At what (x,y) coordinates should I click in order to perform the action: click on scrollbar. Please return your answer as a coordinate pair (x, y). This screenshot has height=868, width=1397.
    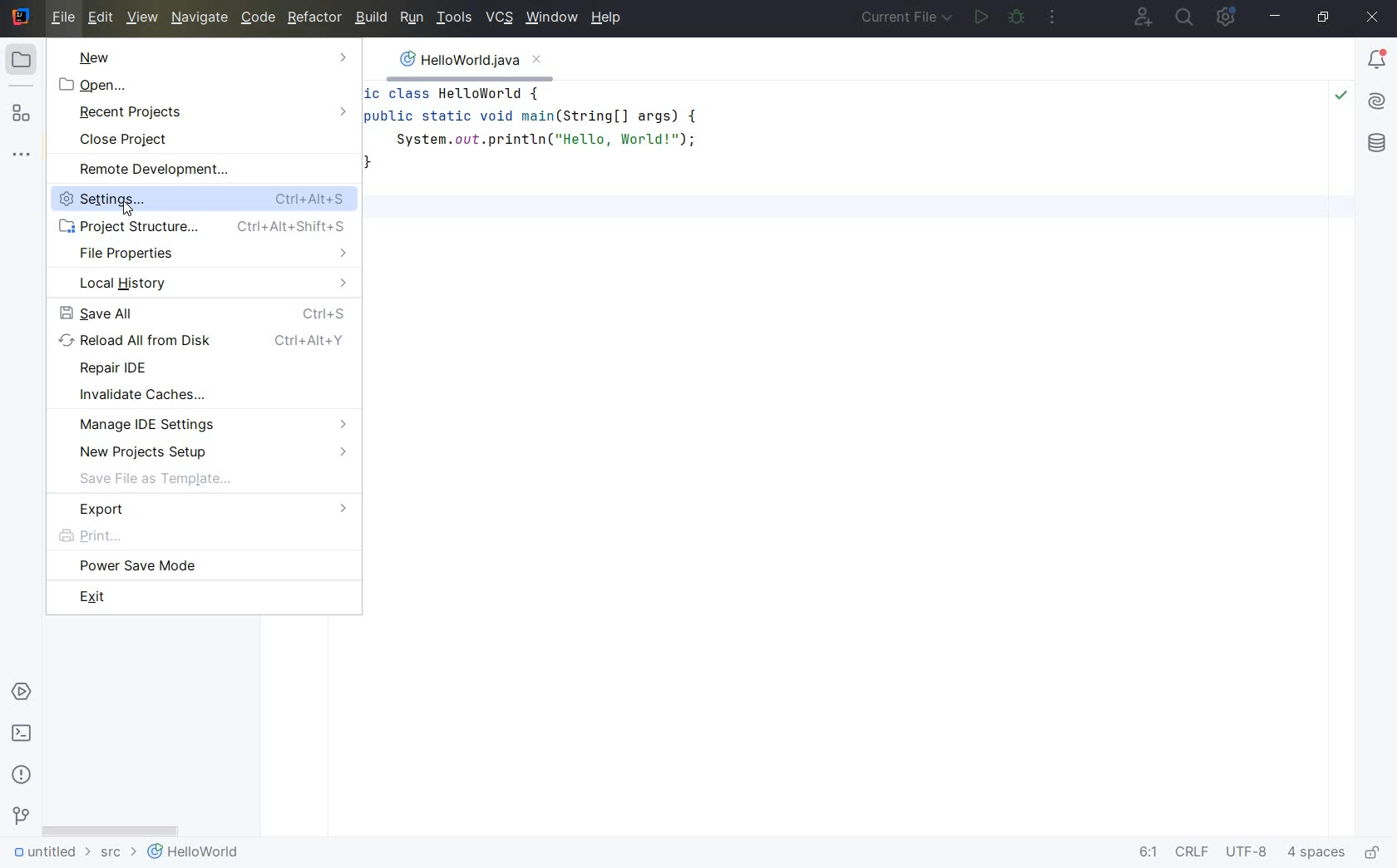
    Looking at the image, I should click on (111, 827).